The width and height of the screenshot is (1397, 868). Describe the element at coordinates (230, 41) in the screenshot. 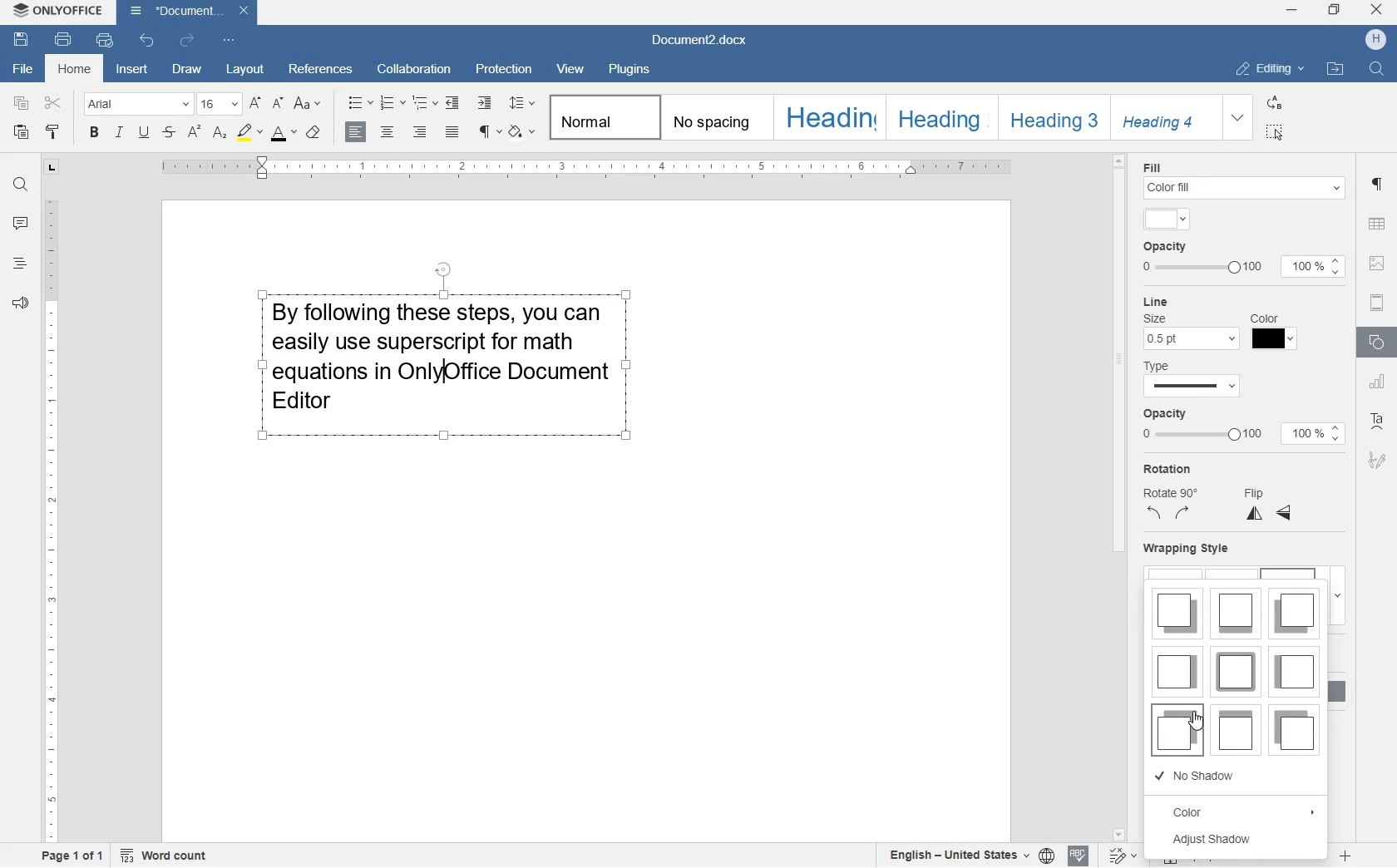

I see `customize quick access toolbar` at that location.